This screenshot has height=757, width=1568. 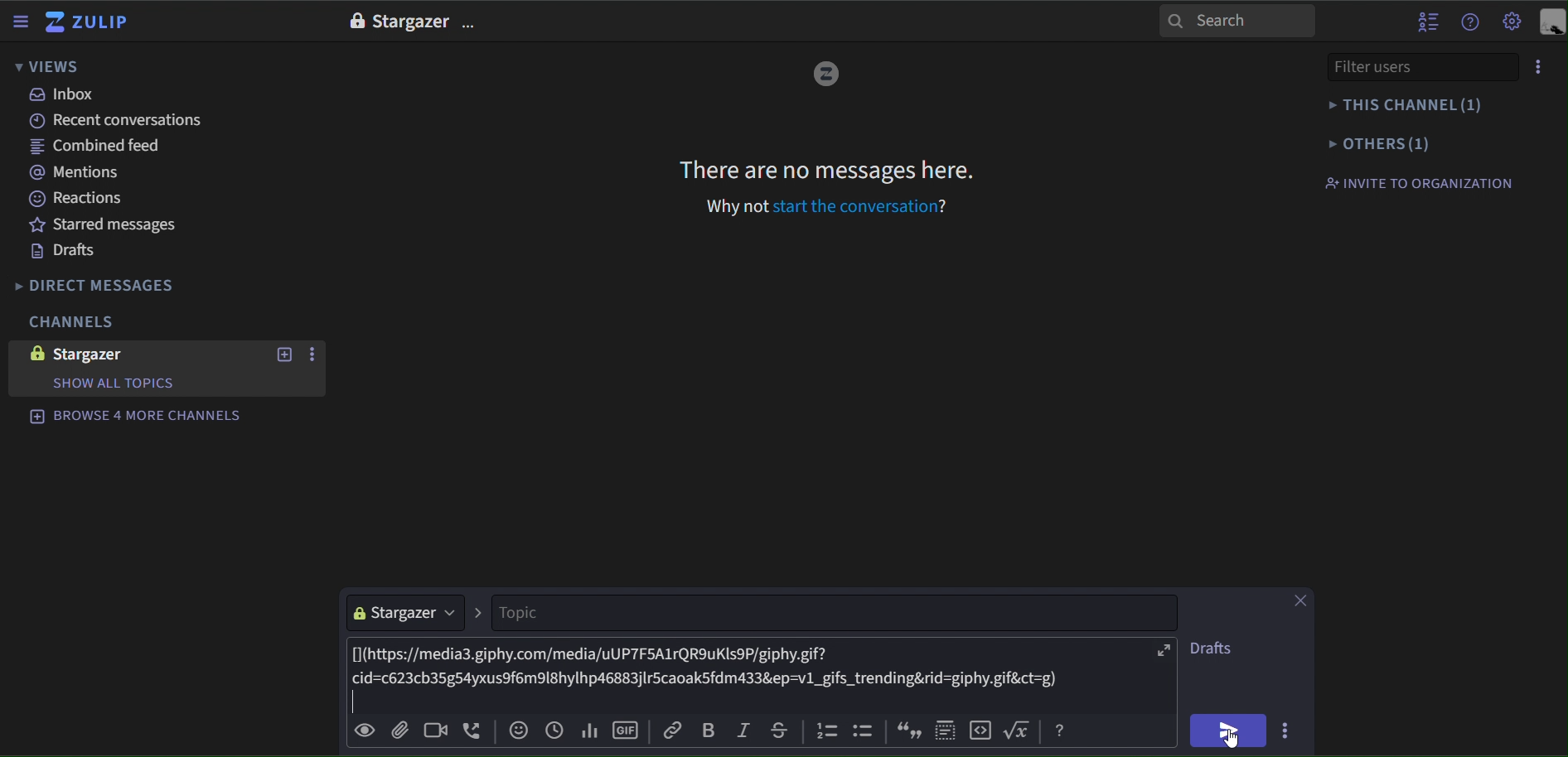 What do you see at coordinates (22, 23) in the screenshot?
I see `hide sidebar` at bounding box center [22, 23].